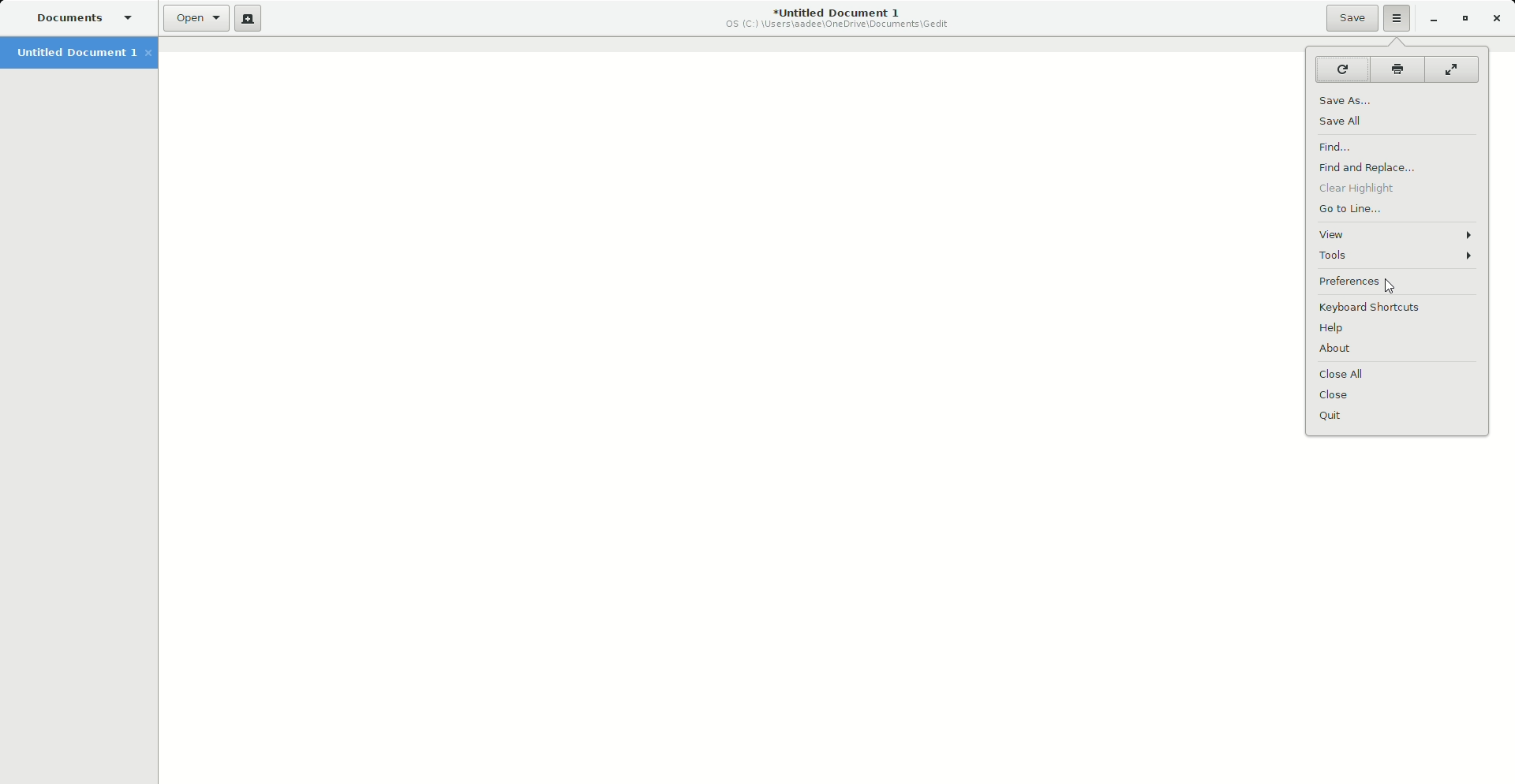 The image size is (1515, 784). Describe the element at coordinates (1499, 17) in the screenshot. I see `Close` at that location.